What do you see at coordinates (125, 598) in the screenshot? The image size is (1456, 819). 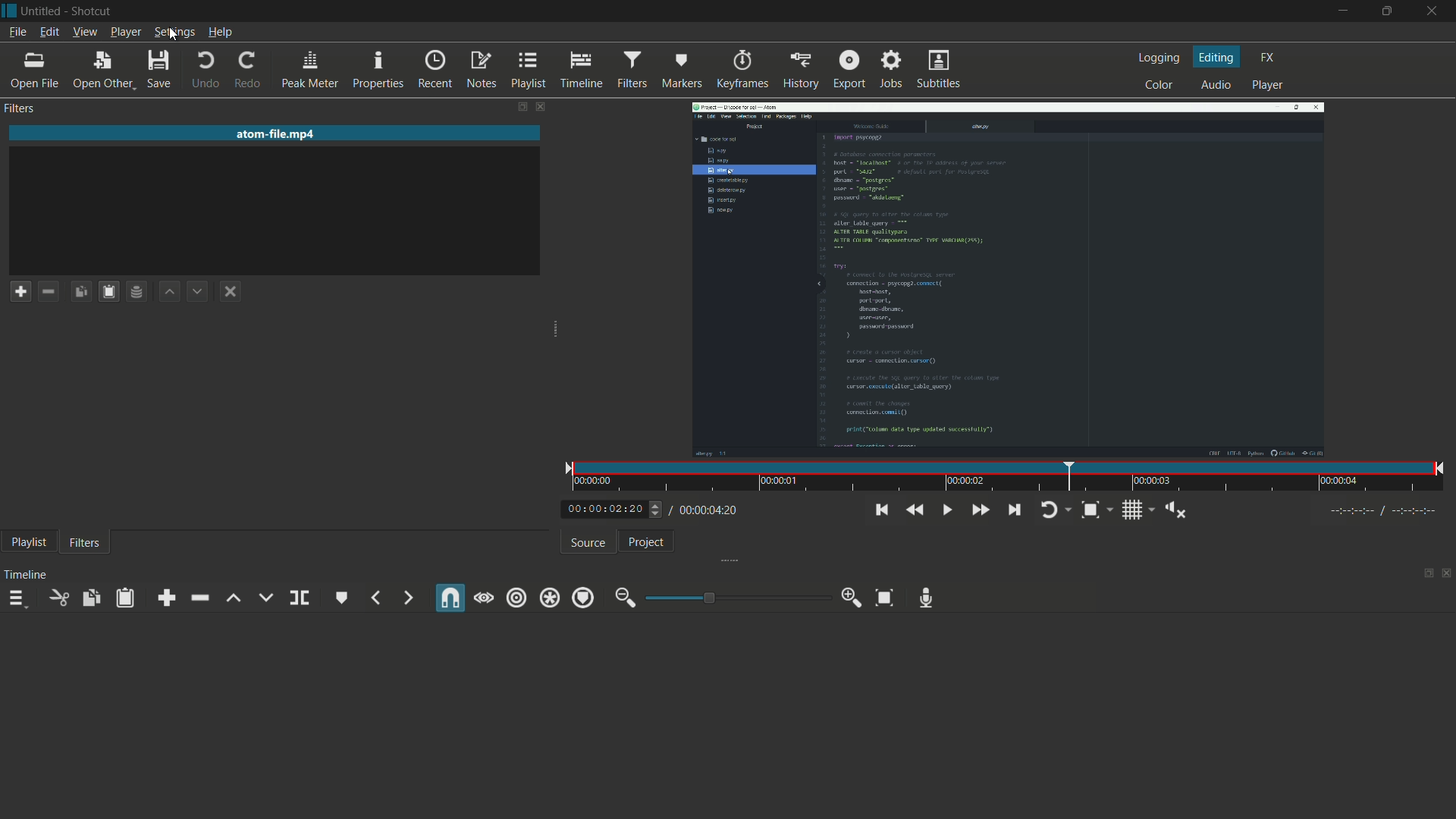 I see `paste filters` at bounding box center [125, 598].